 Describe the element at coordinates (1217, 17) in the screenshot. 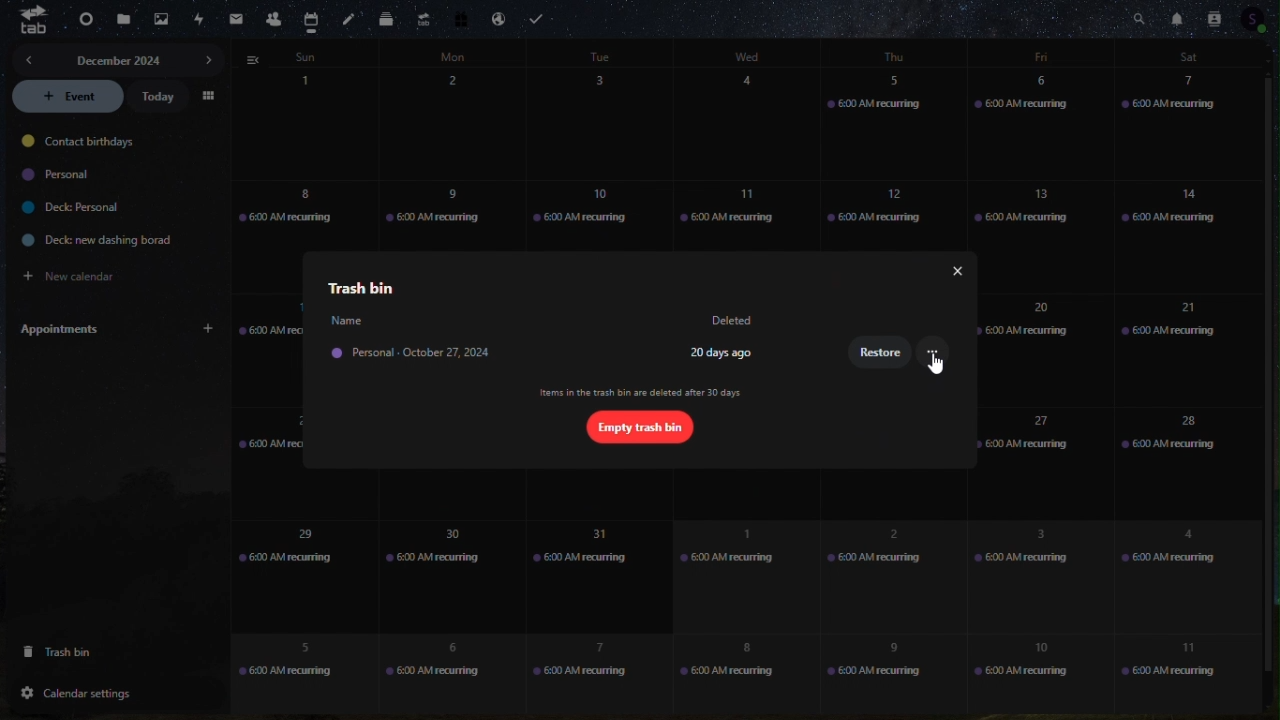

I see `contacts` at that location.